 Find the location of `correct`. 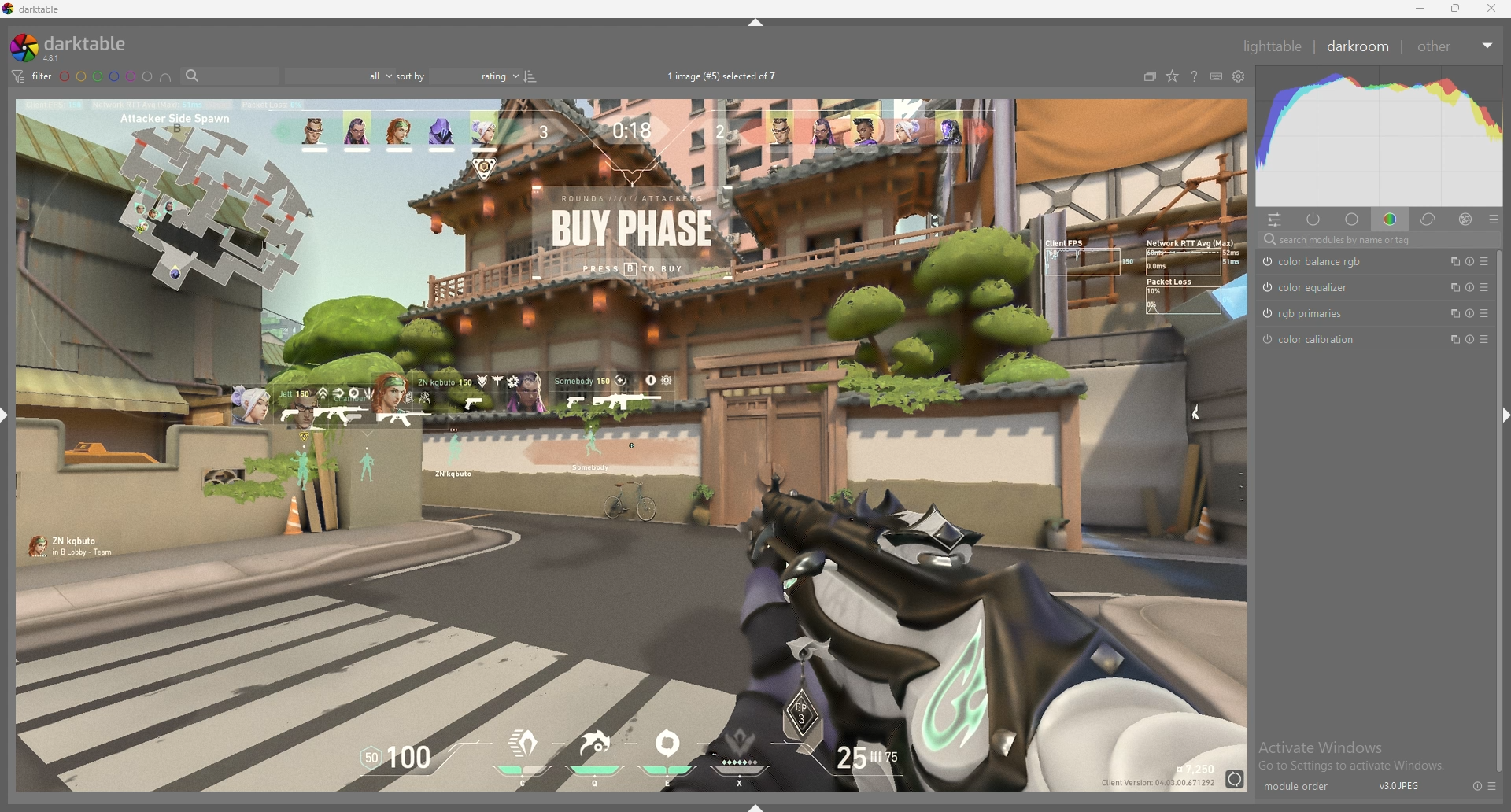

correct is located at coordinates (1429, 219).